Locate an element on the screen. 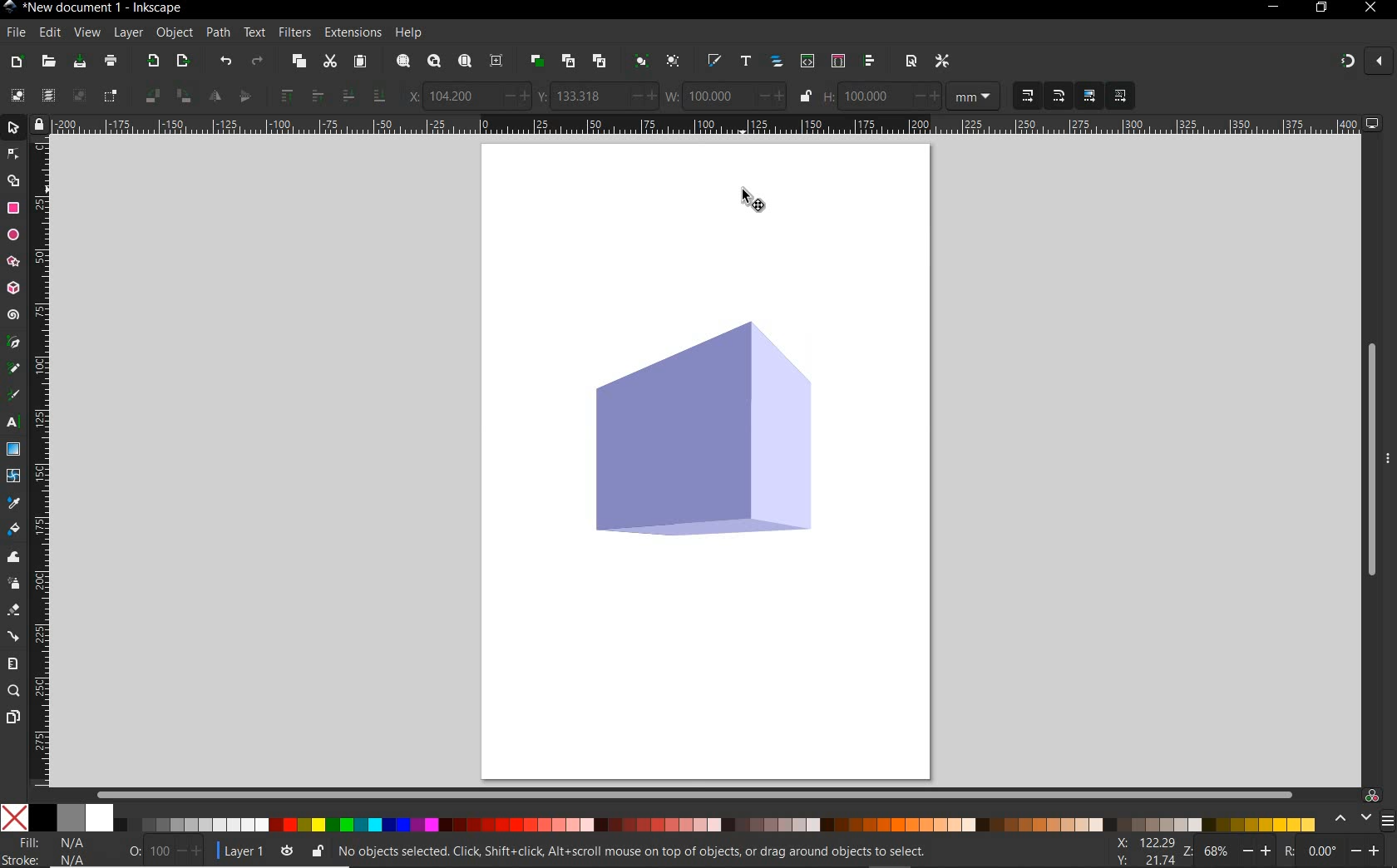 This screenshot has width=1397, height=868. increase/decrease is located at coordinates (515, 96).